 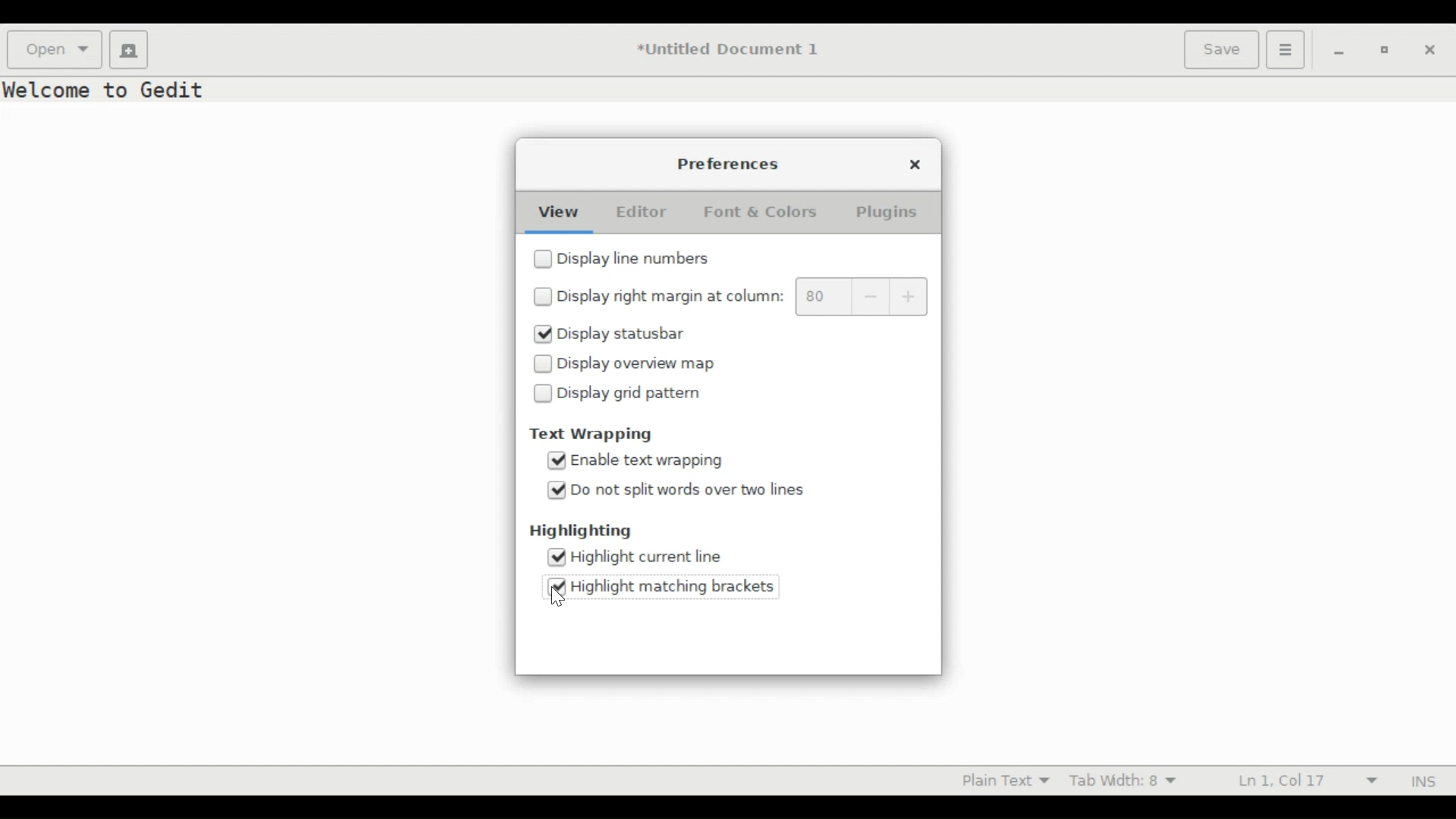 What do you see at coordinates (730, 50) in the screenshot?
I see `*Untitled Document 1` at bounding box center [730, 50].